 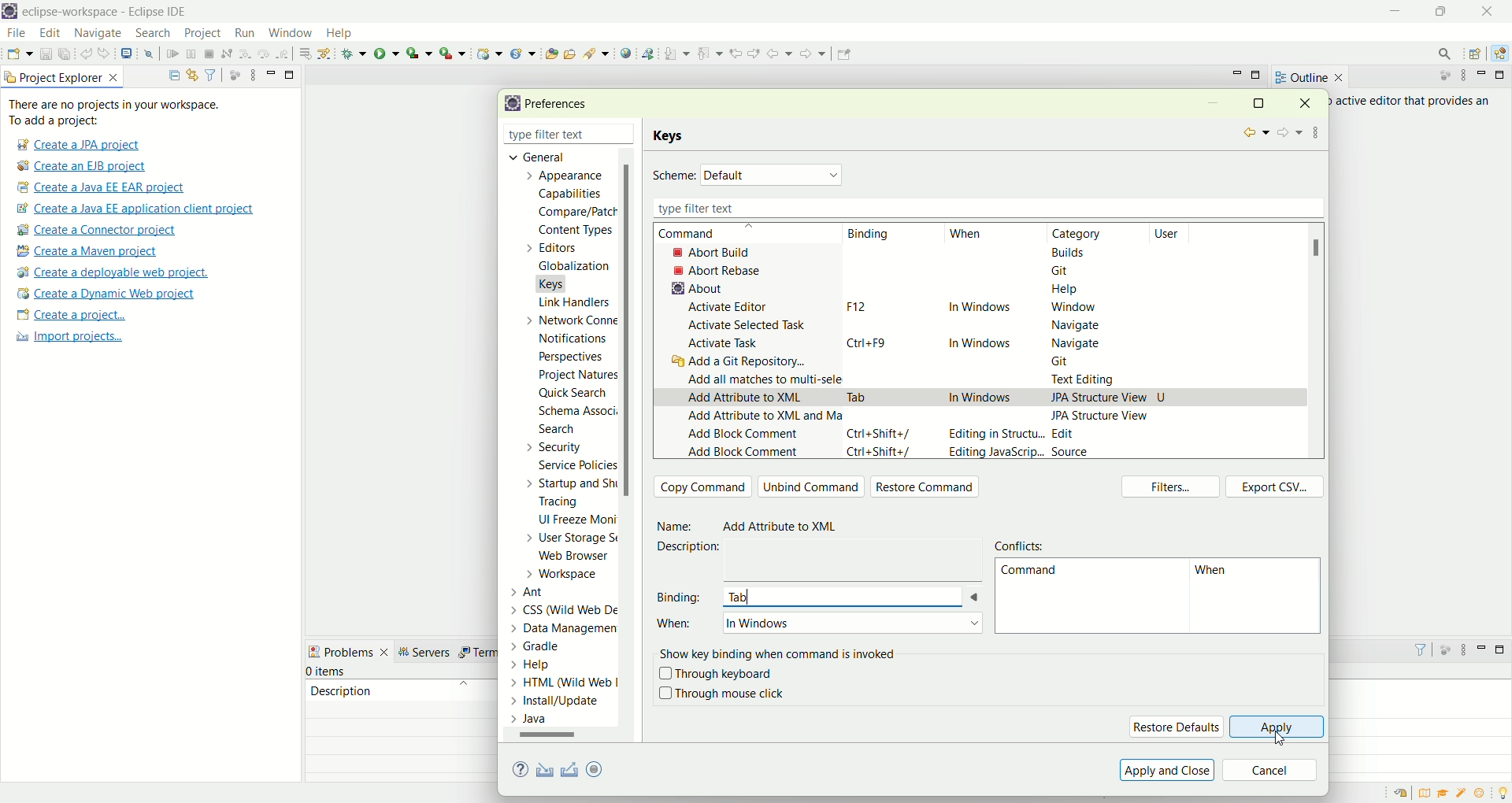 What do you see at coordinates (1440, 54) in the screenshot?
I see `search` at bounding box center [1440, 54].